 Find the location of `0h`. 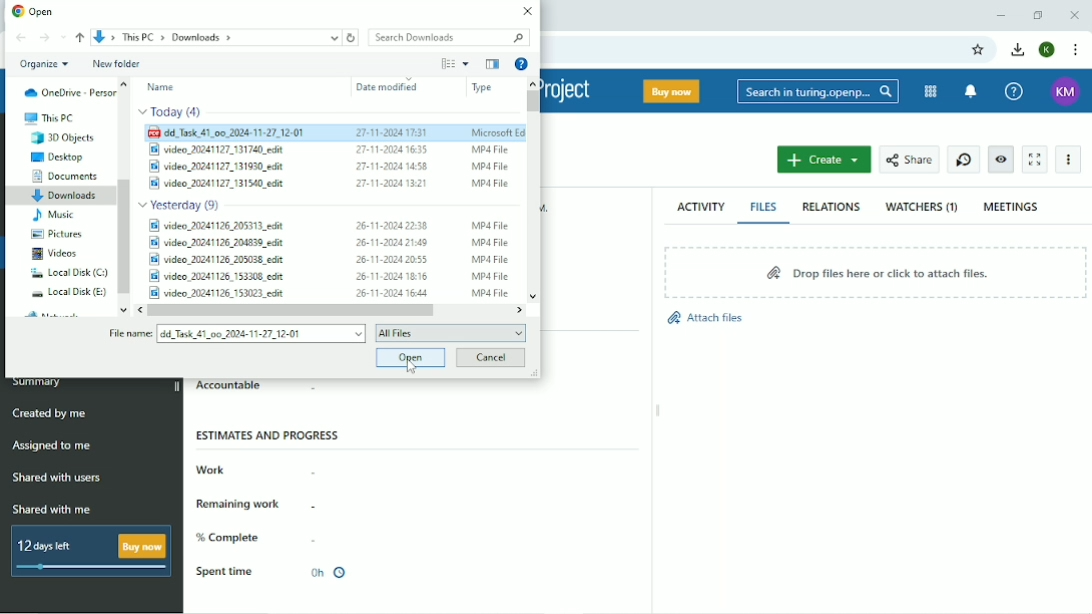

0h is located at coordinates (327, 573).